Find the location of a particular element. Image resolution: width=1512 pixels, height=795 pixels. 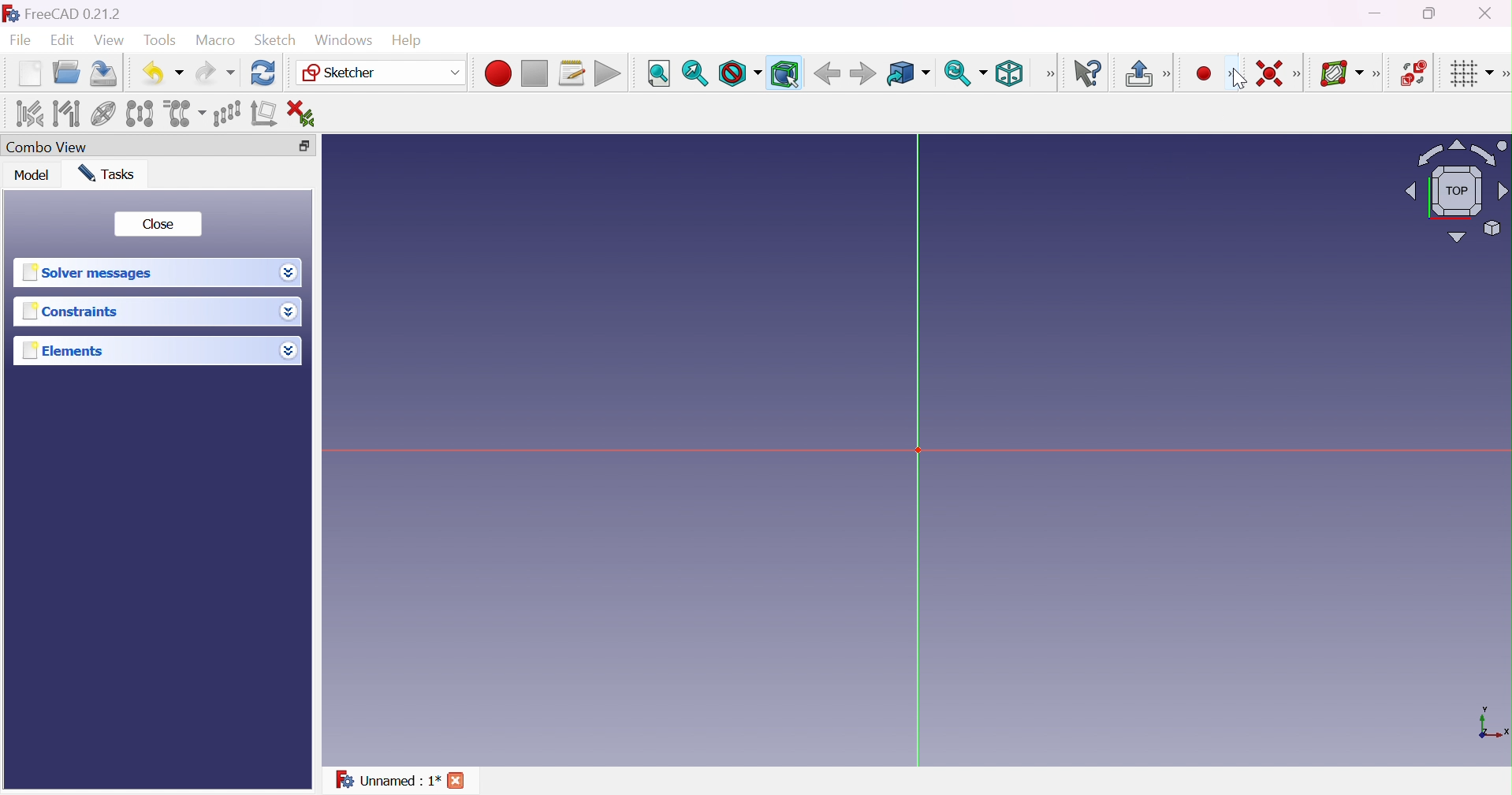

Undo is located at coordinates (162, 72).